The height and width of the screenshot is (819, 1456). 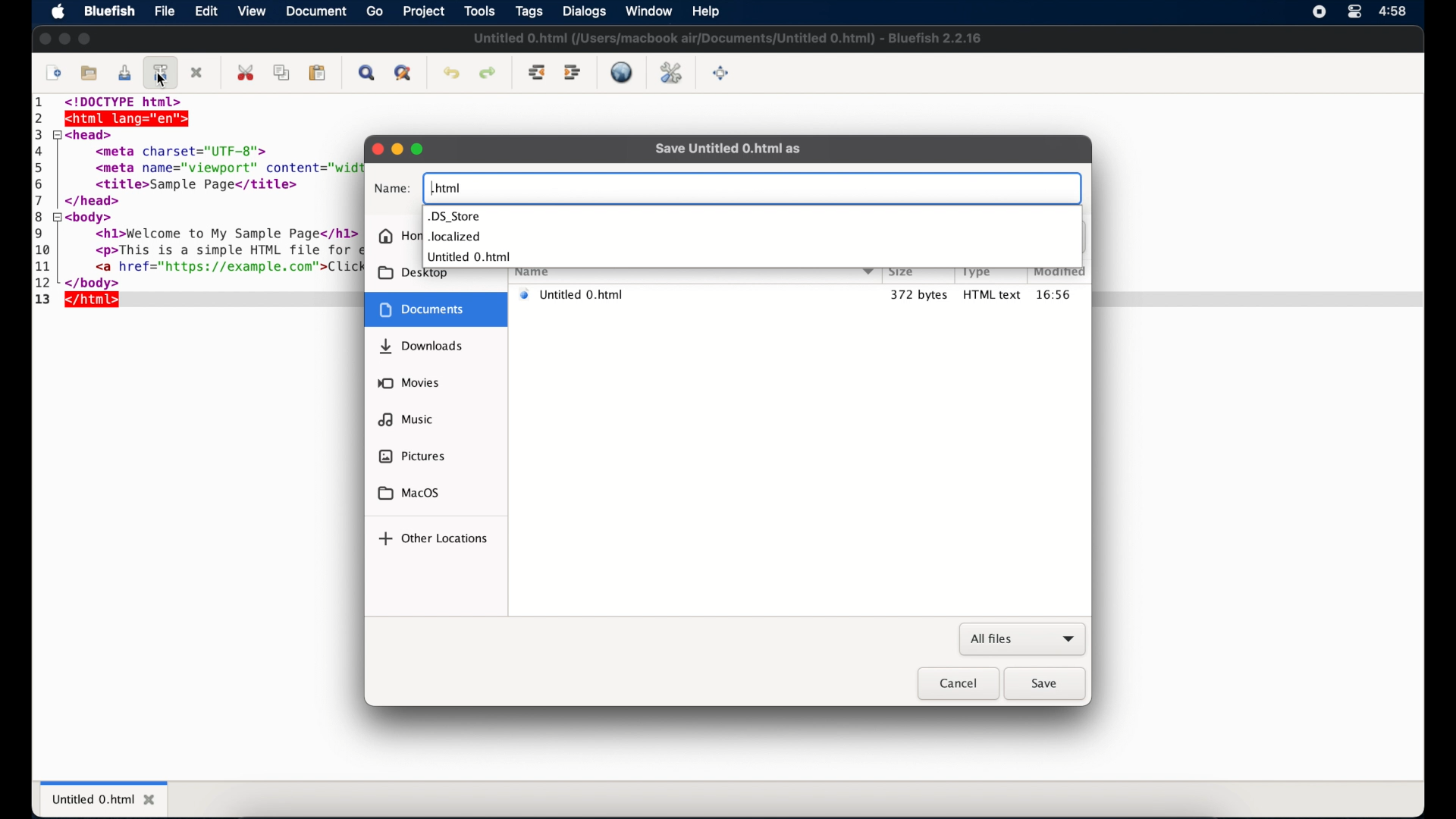 I want to click on <body>, so click(x=93, y=218).